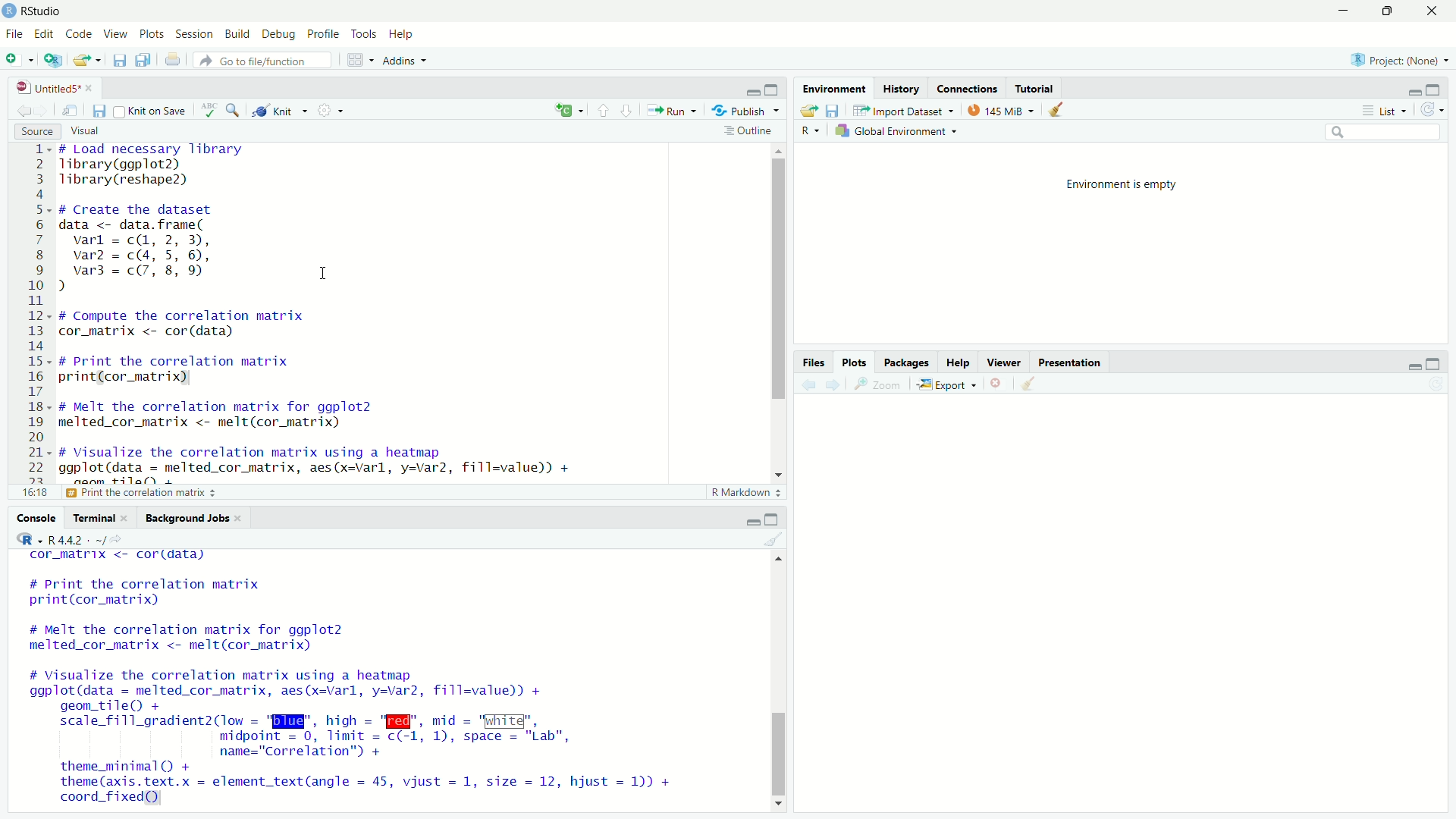 The height and width of the screenshot is (819, 1456). I want to click on settings, so click(329, 110).